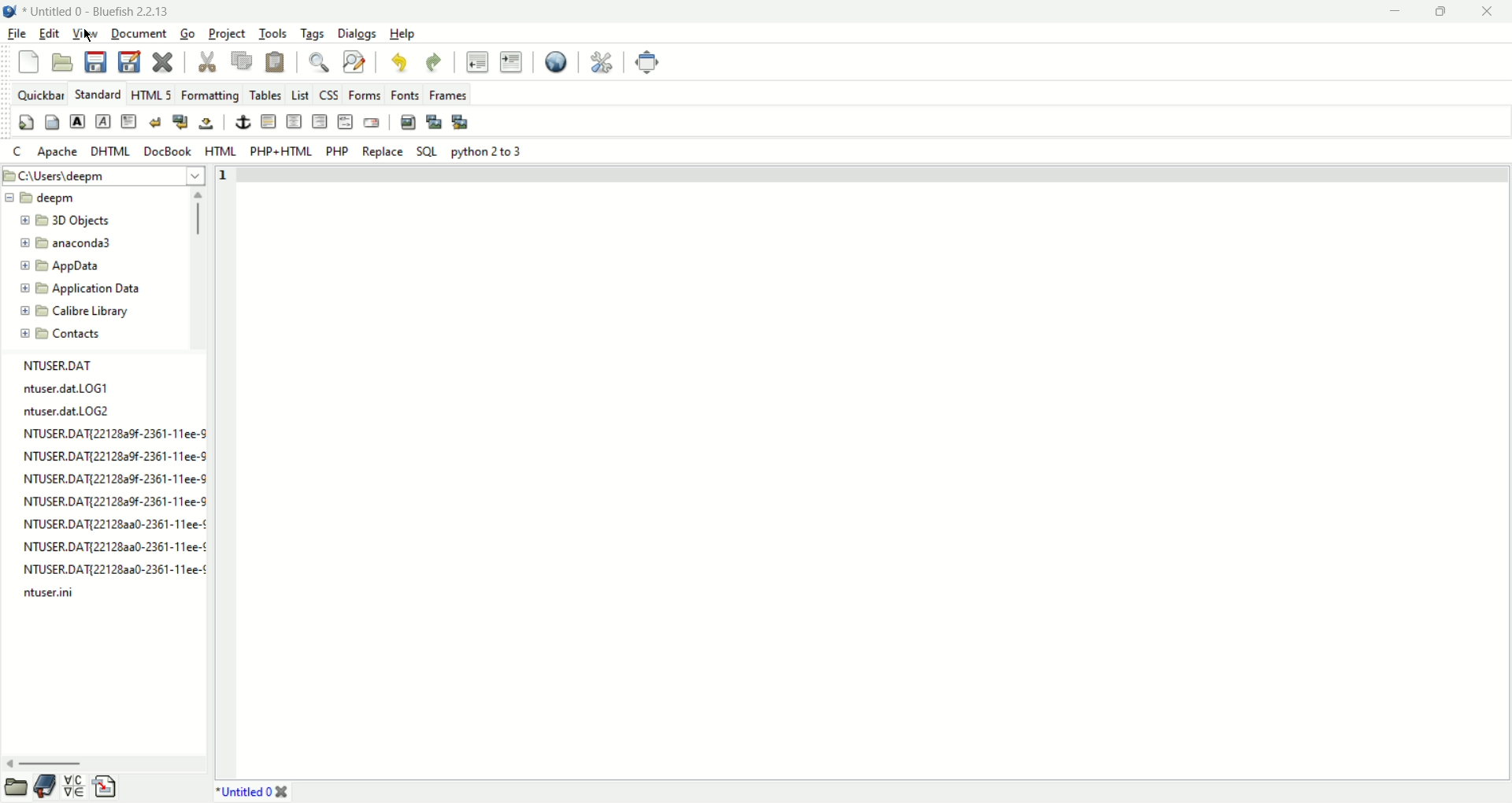 The width and height of the screenshot is (1512, 803). Describe the element at coordinates (427, 151) in the screenshot. I see `SQL` at that location.